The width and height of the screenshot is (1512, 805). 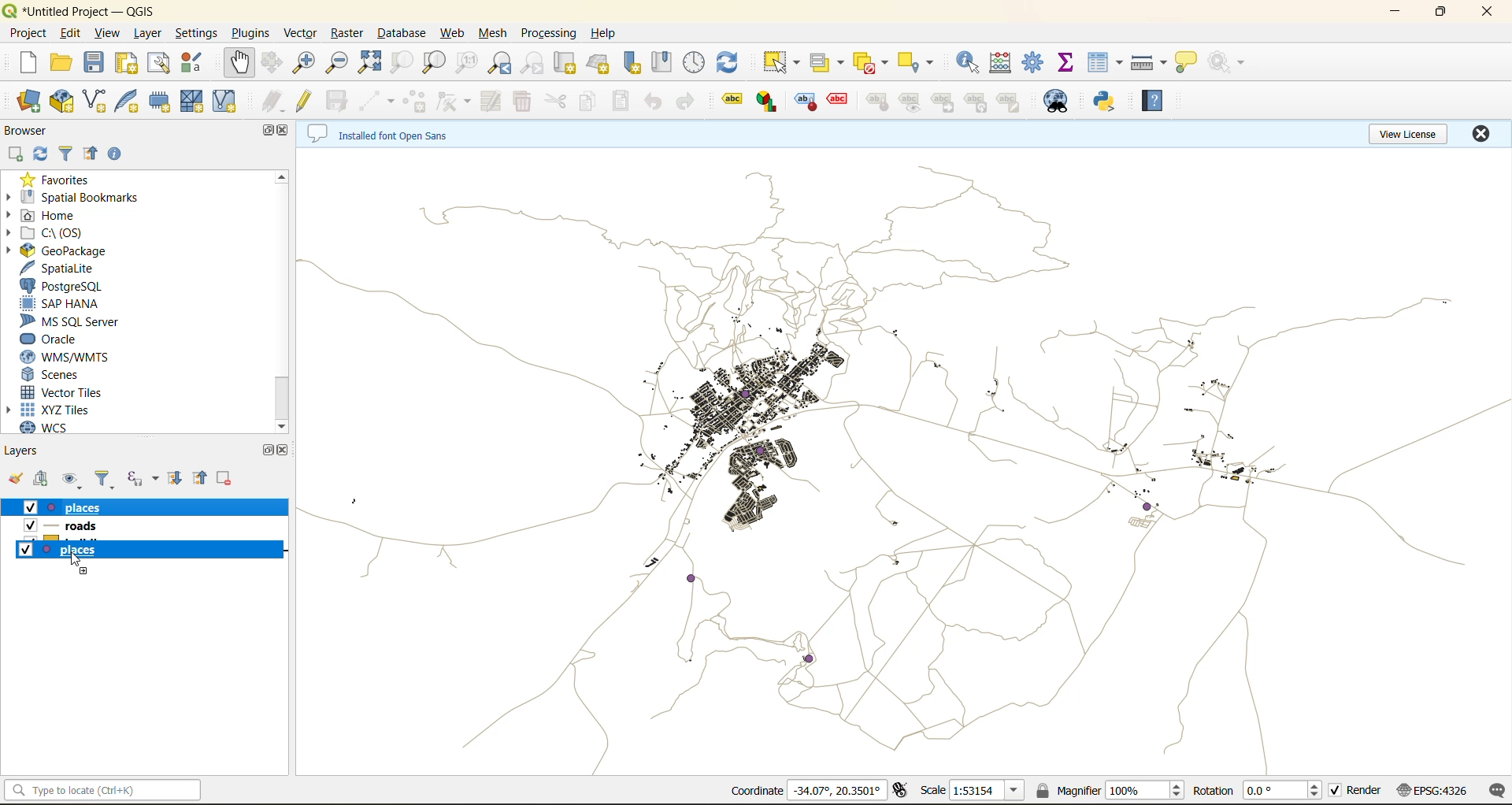 I want to click on layer, so click(x=150, y=33).